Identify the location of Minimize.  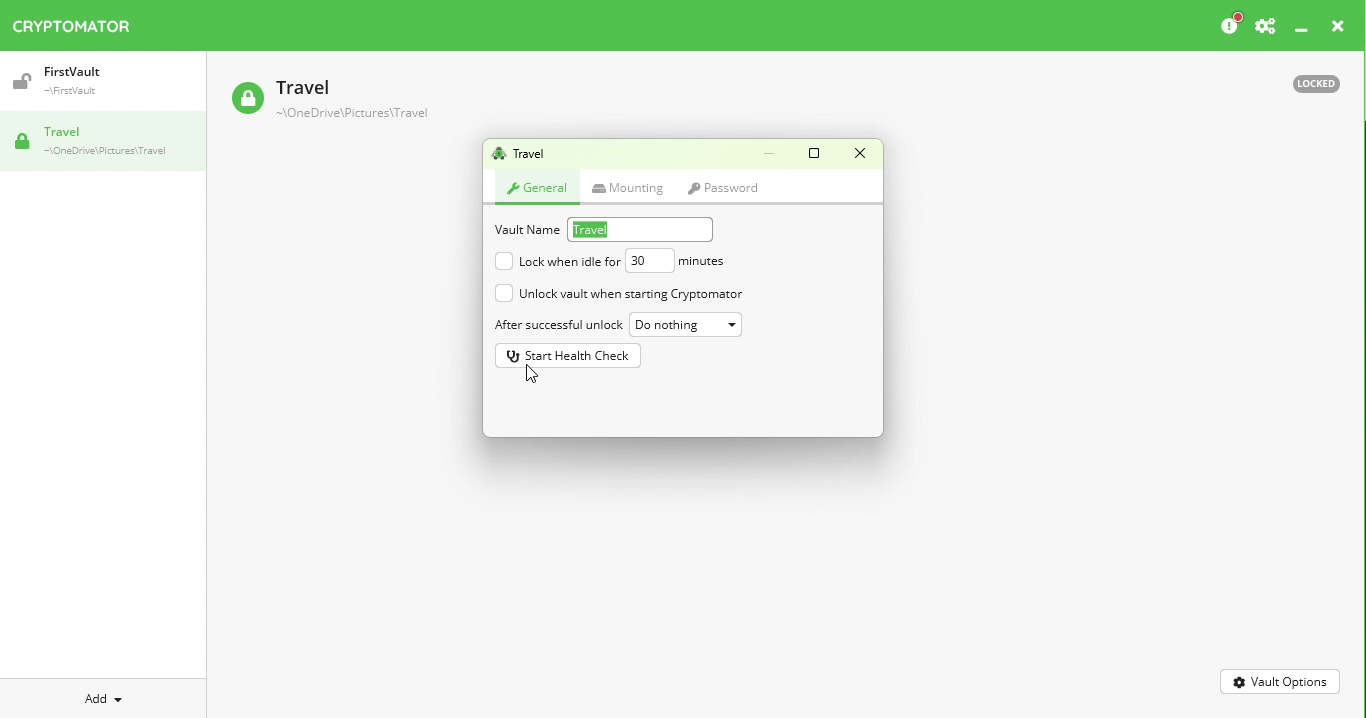
(766, 154).